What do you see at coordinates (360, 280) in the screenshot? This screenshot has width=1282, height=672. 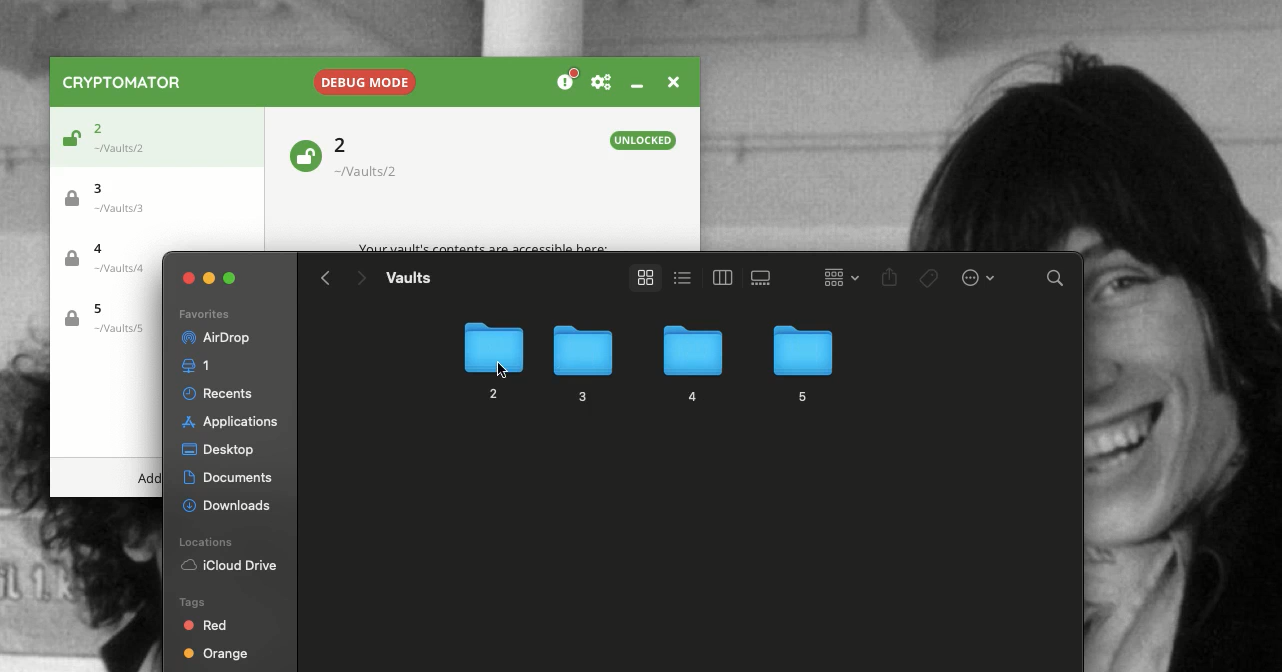 I see `Forward` at bounding box center [360, 280].